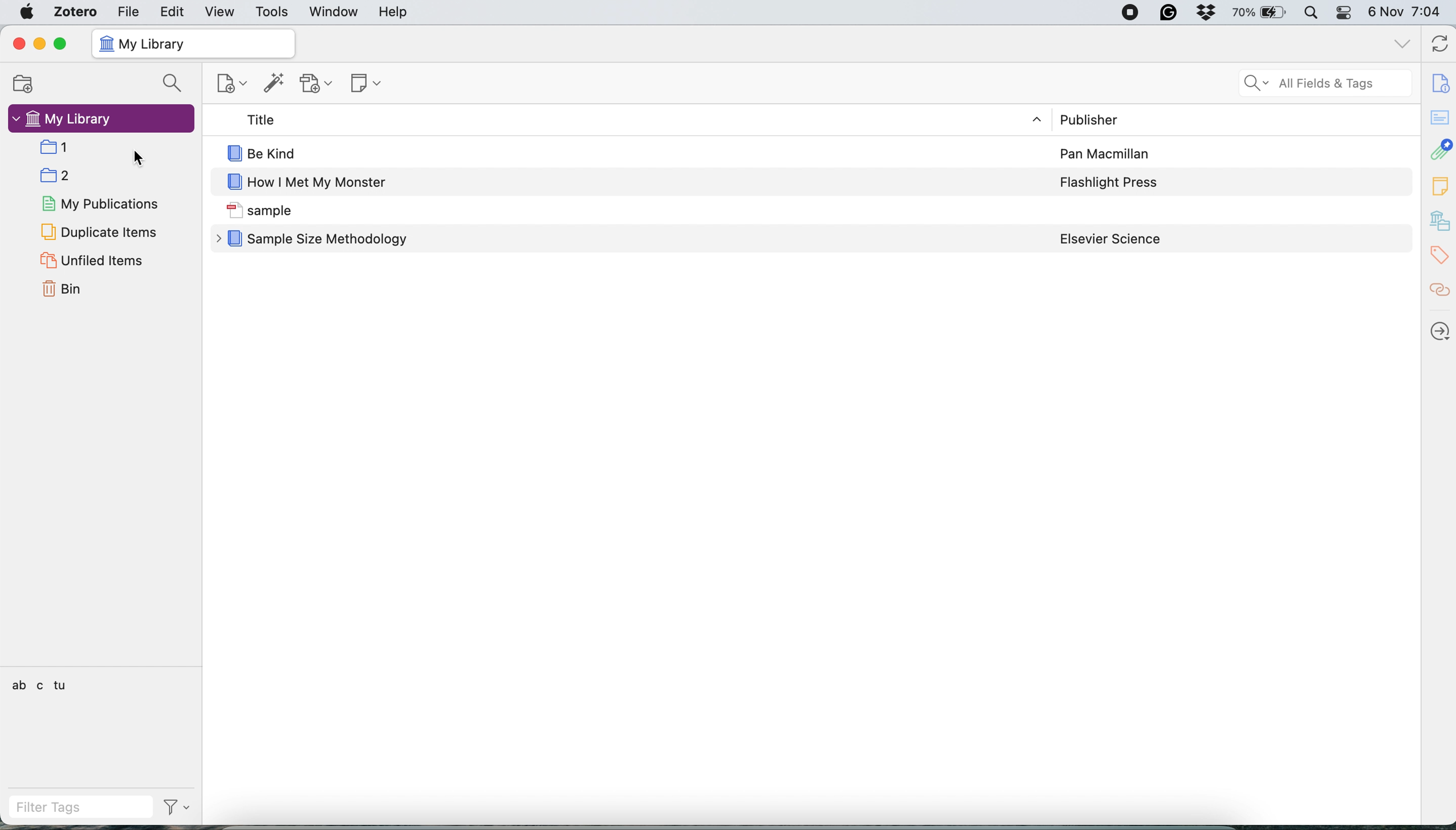 The image size is (1456, 830). Describe the element at coordinates (332, 13) in the screenshot. I see `window` at that location.